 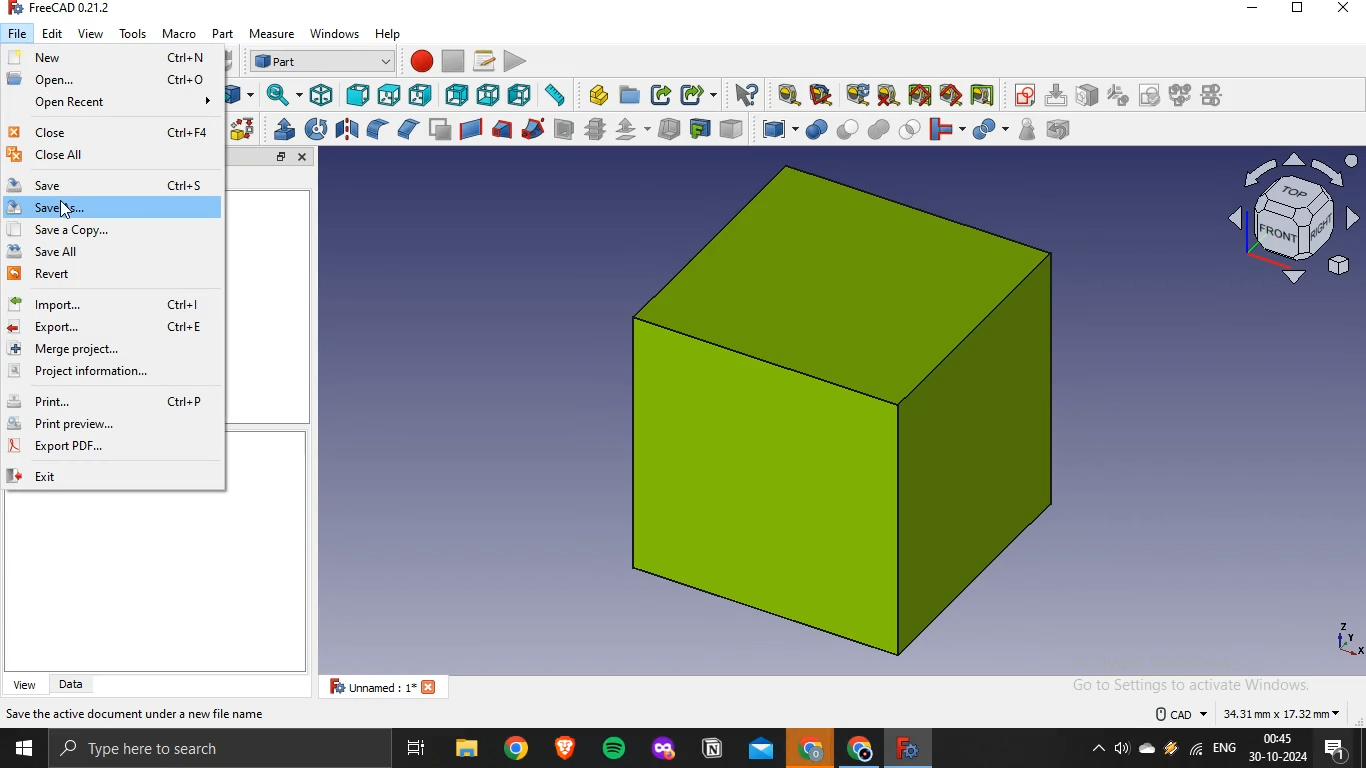 What do you see at coordinates (626, 130) in the screenshot?
I see `offset` at bounding box center [626, 130].